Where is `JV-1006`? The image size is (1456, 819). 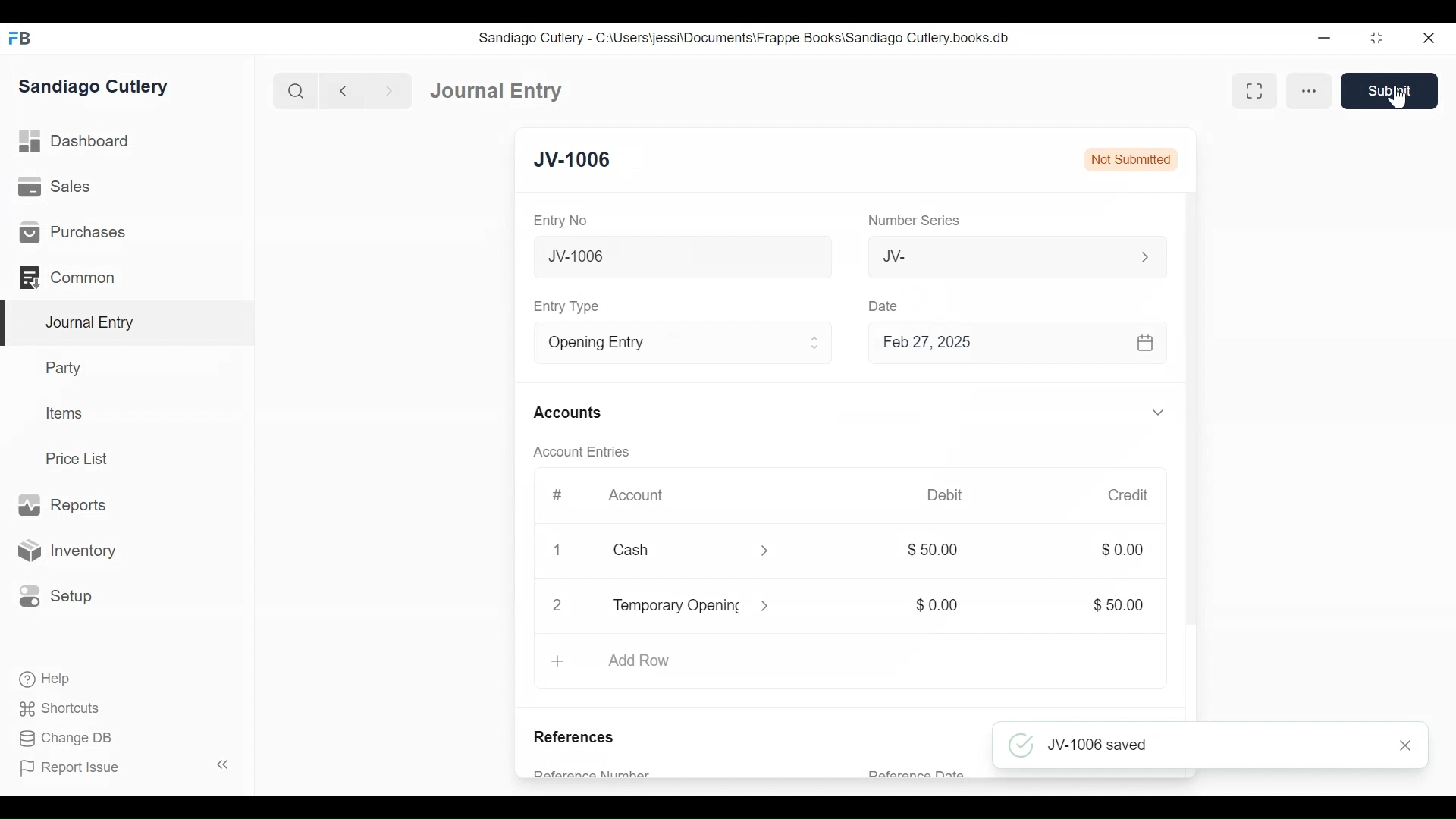
JV-1006 is located at coordinates (576, 162).